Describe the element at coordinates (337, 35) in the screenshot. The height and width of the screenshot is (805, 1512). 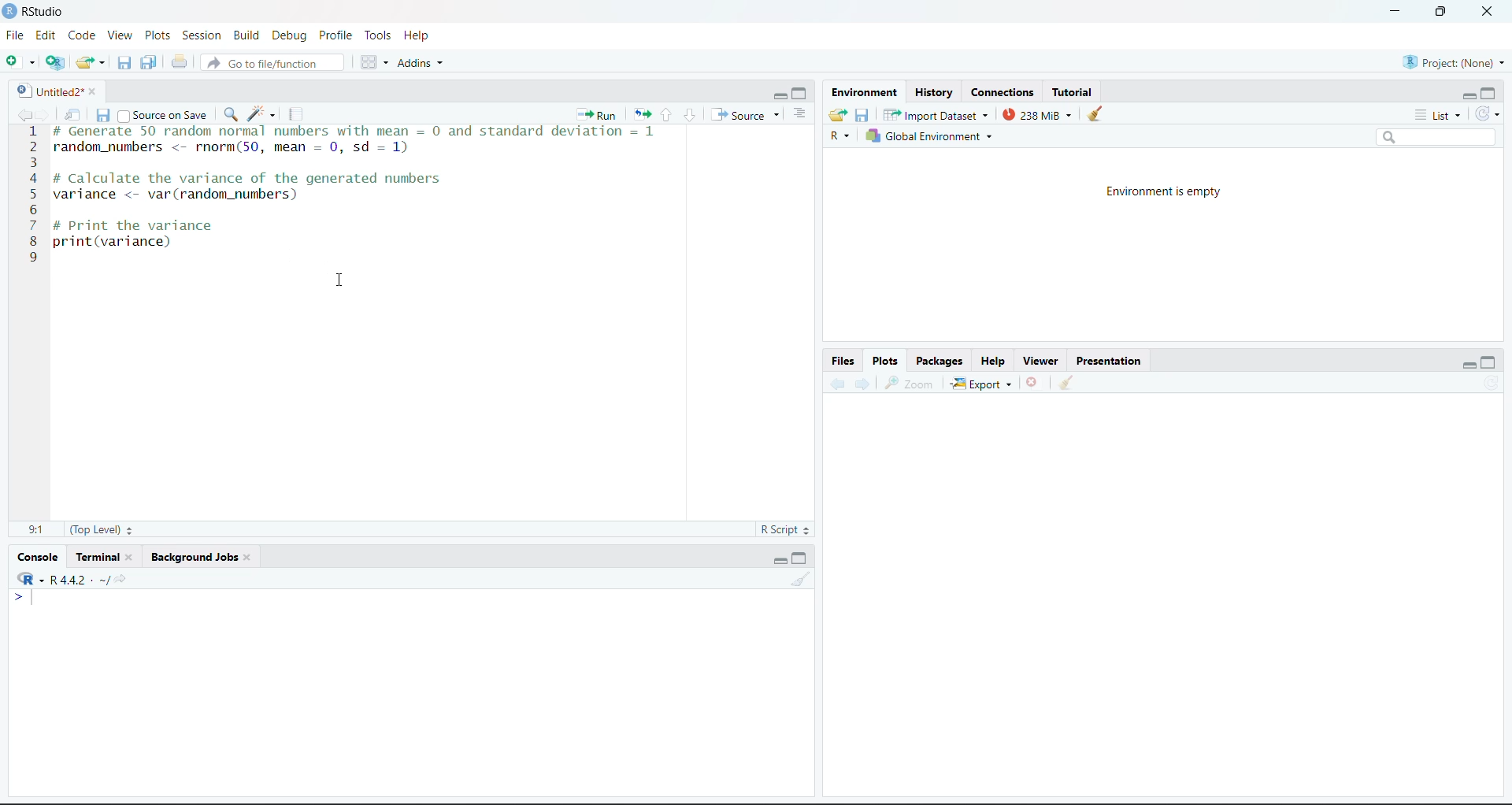
I see `Profile` at that location.